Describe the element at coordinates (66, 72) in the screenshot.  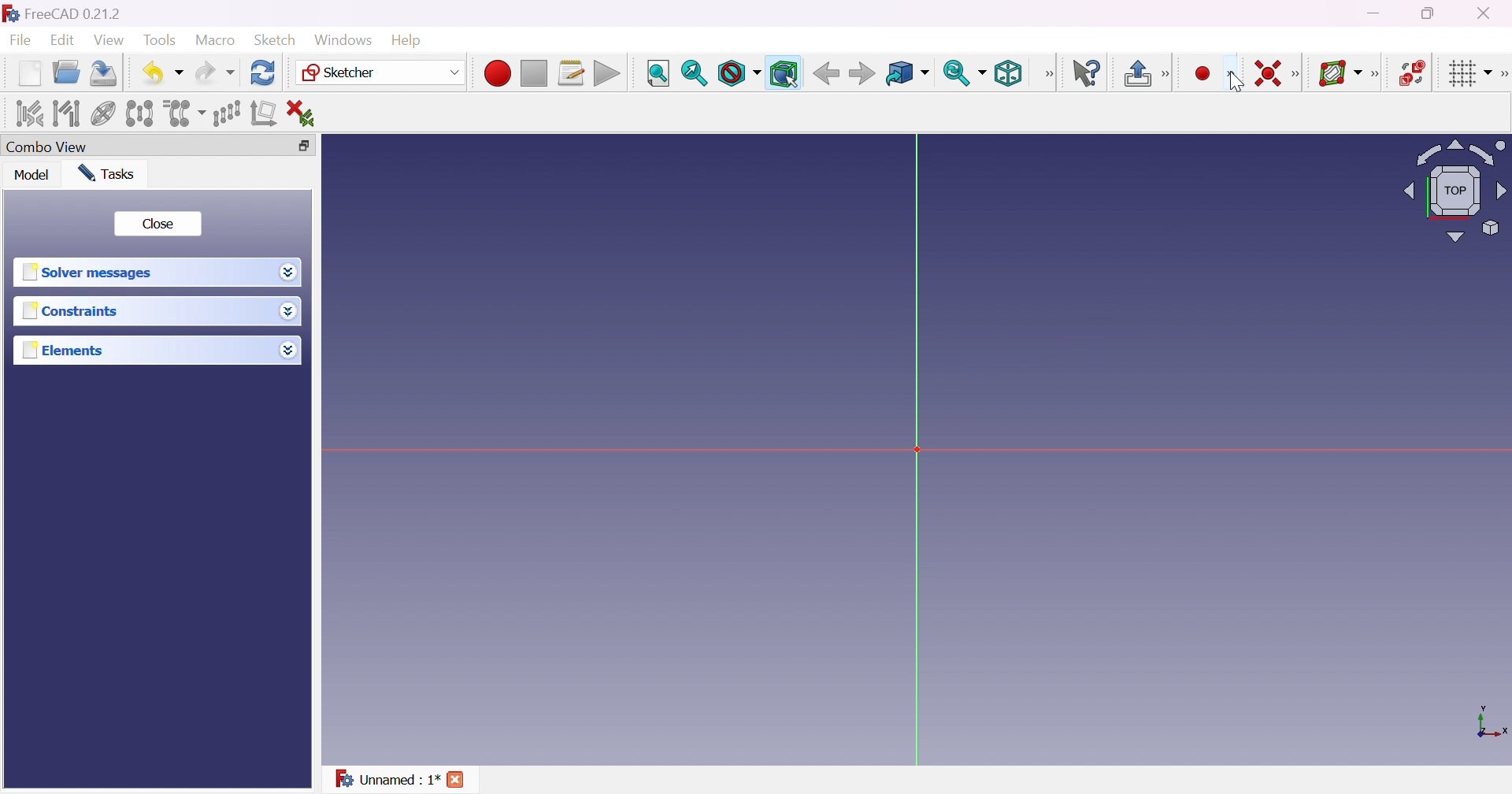
I see `Open` at that location.